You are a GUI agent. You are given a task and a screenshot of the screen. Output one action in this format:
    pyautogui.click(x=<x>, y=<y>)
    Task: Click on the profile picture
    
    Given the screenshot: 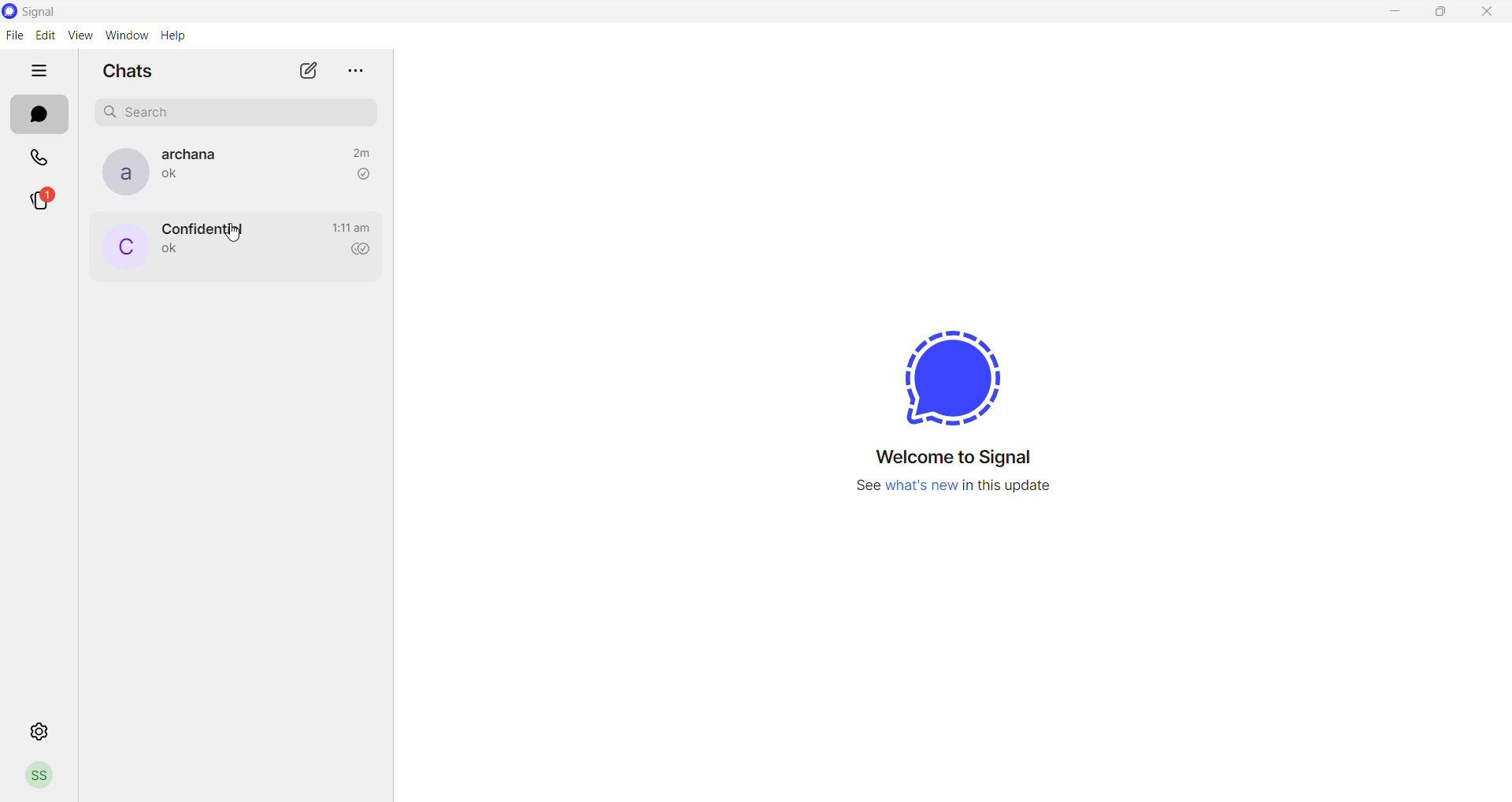 What is the action you would take?
    pyautogui.click(x=121, y=172)
    